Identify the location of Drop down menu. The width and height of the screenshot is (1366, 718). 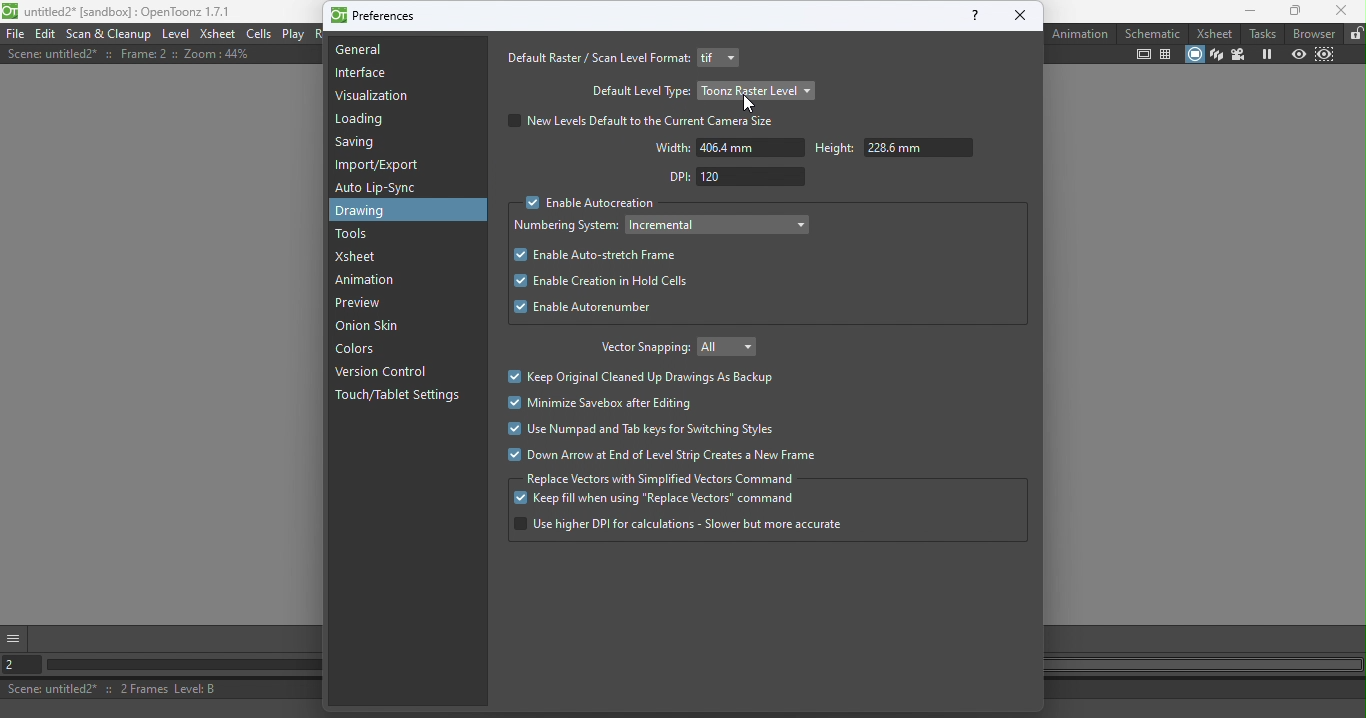
(719, 58).